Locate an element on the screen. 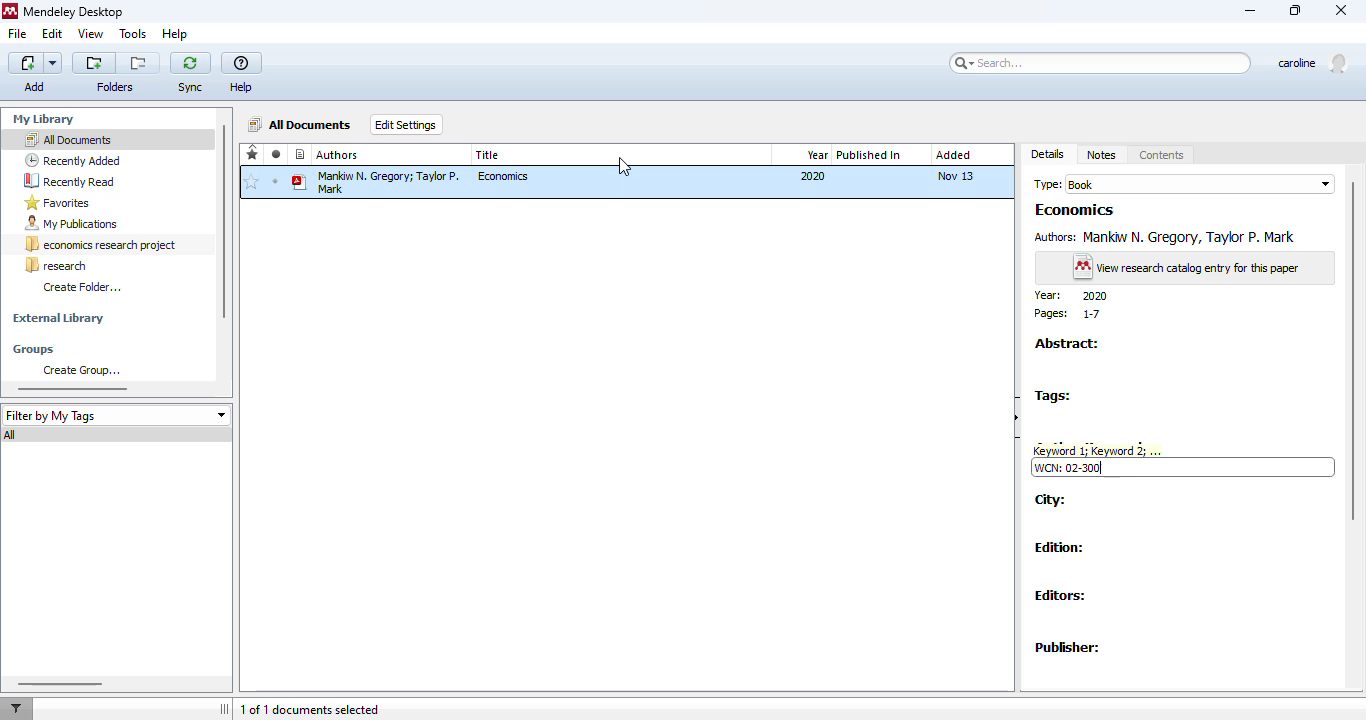  help is located at coordinates (242, 74).